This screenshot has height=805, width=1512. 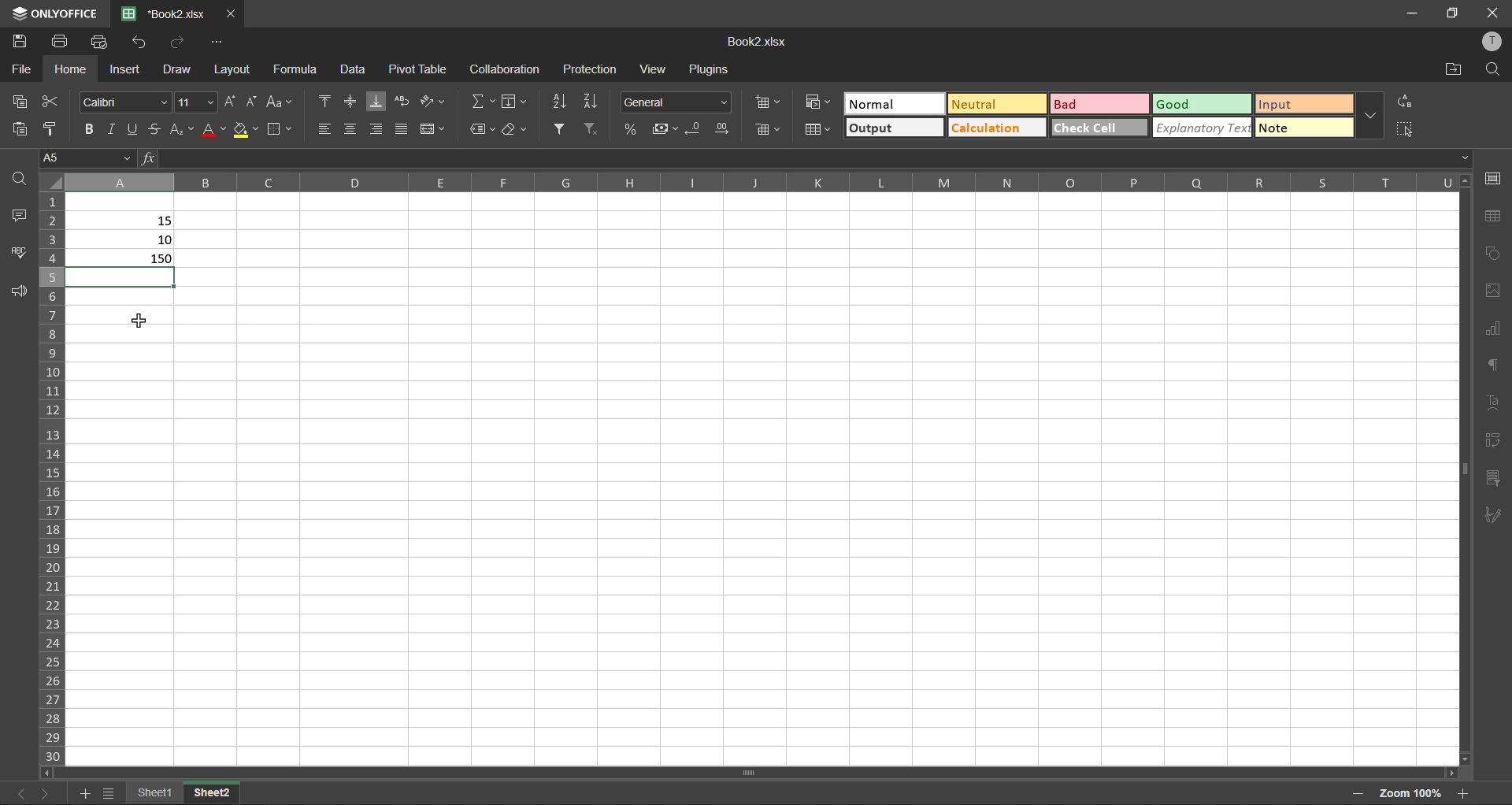 What do you see at coordinates (1452, 13) in the screenshot?
I see `maximize` at bounding box center [1452, 13].